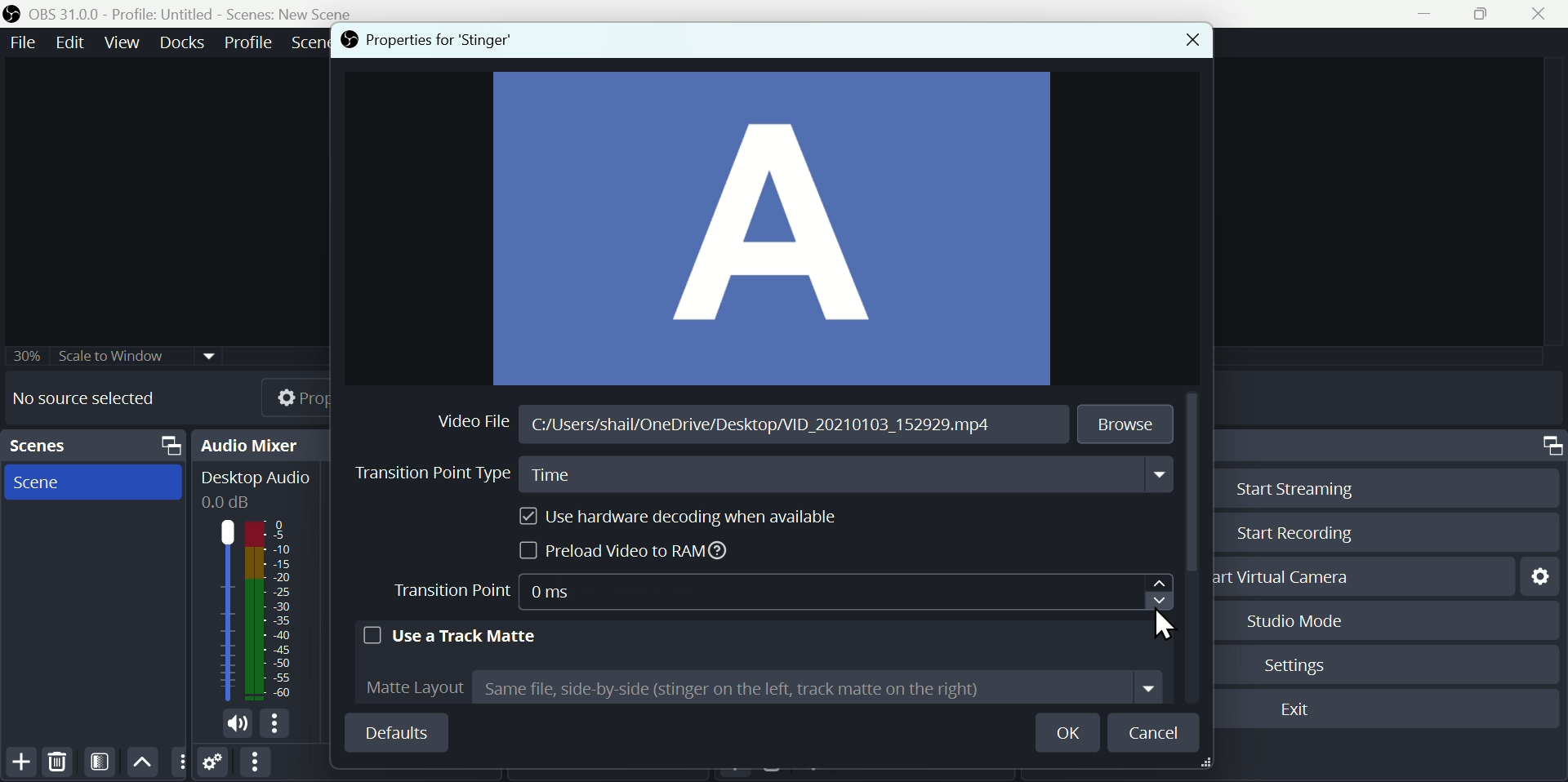  I want to click on Scenes, so click(97, 446).